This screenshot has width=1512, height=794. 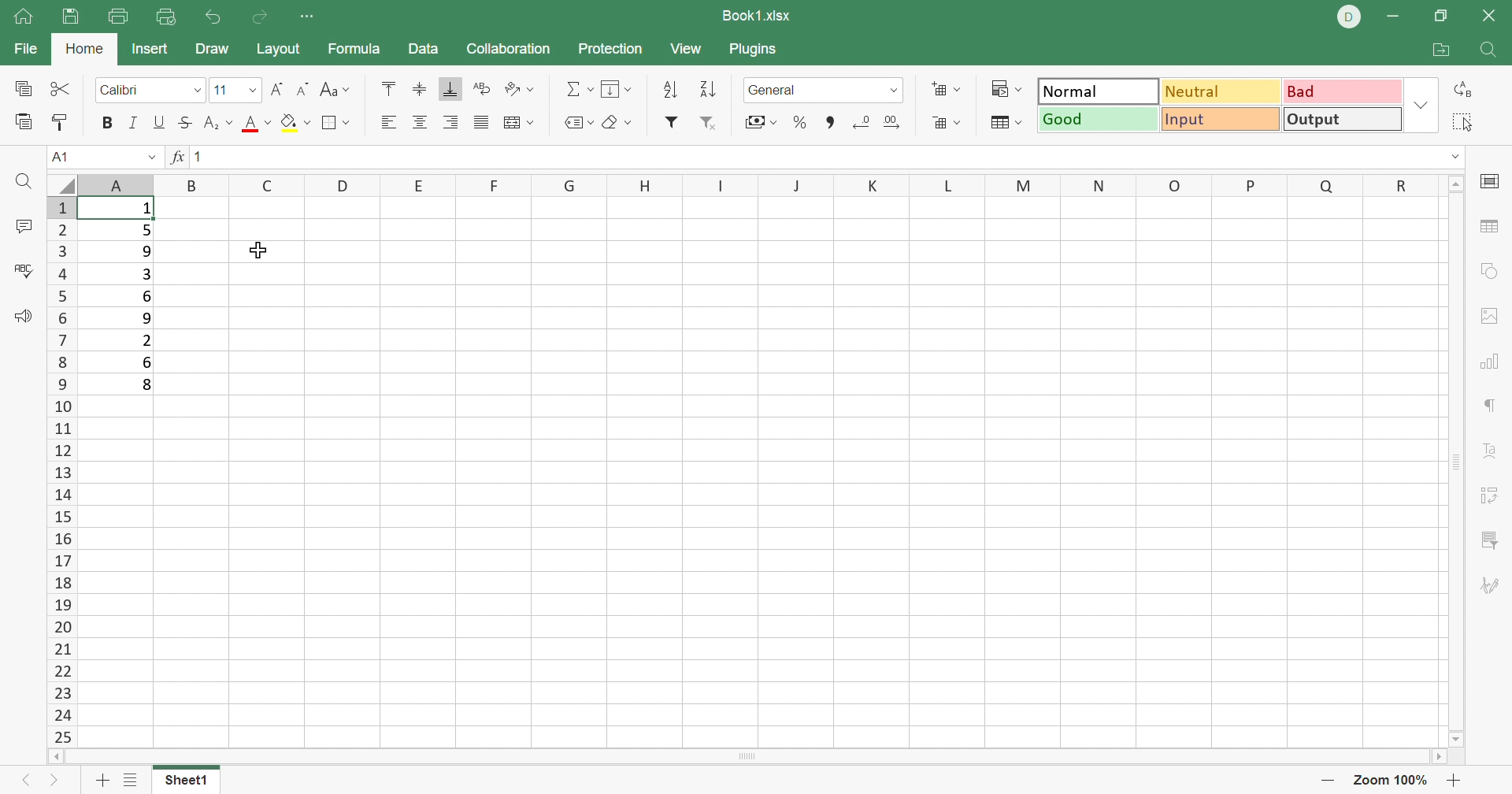 I want to click on Bad, so click(x=1344, y=92).